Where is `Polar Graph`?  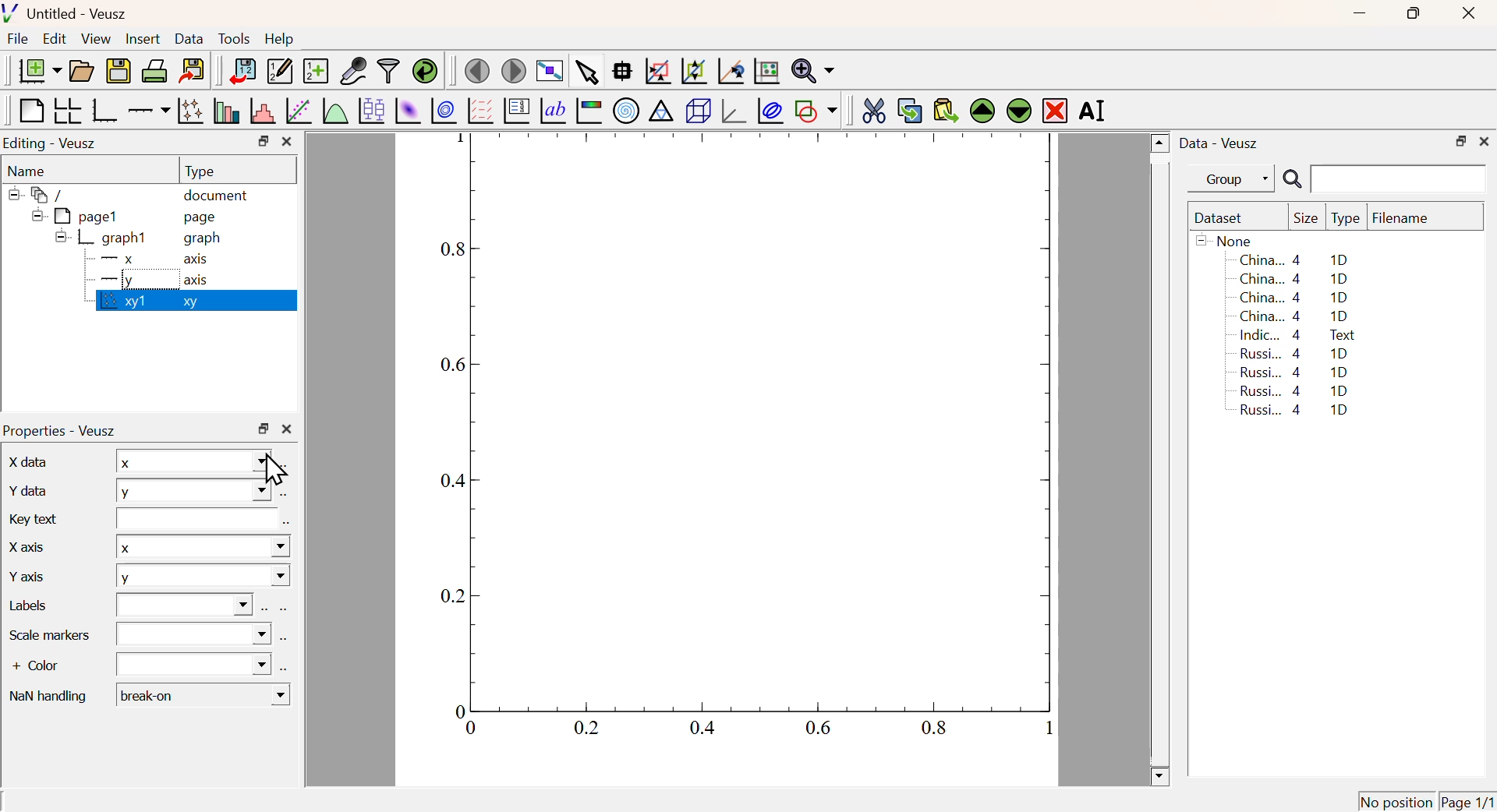
Polar Graph is located at coordinates (627, 110).